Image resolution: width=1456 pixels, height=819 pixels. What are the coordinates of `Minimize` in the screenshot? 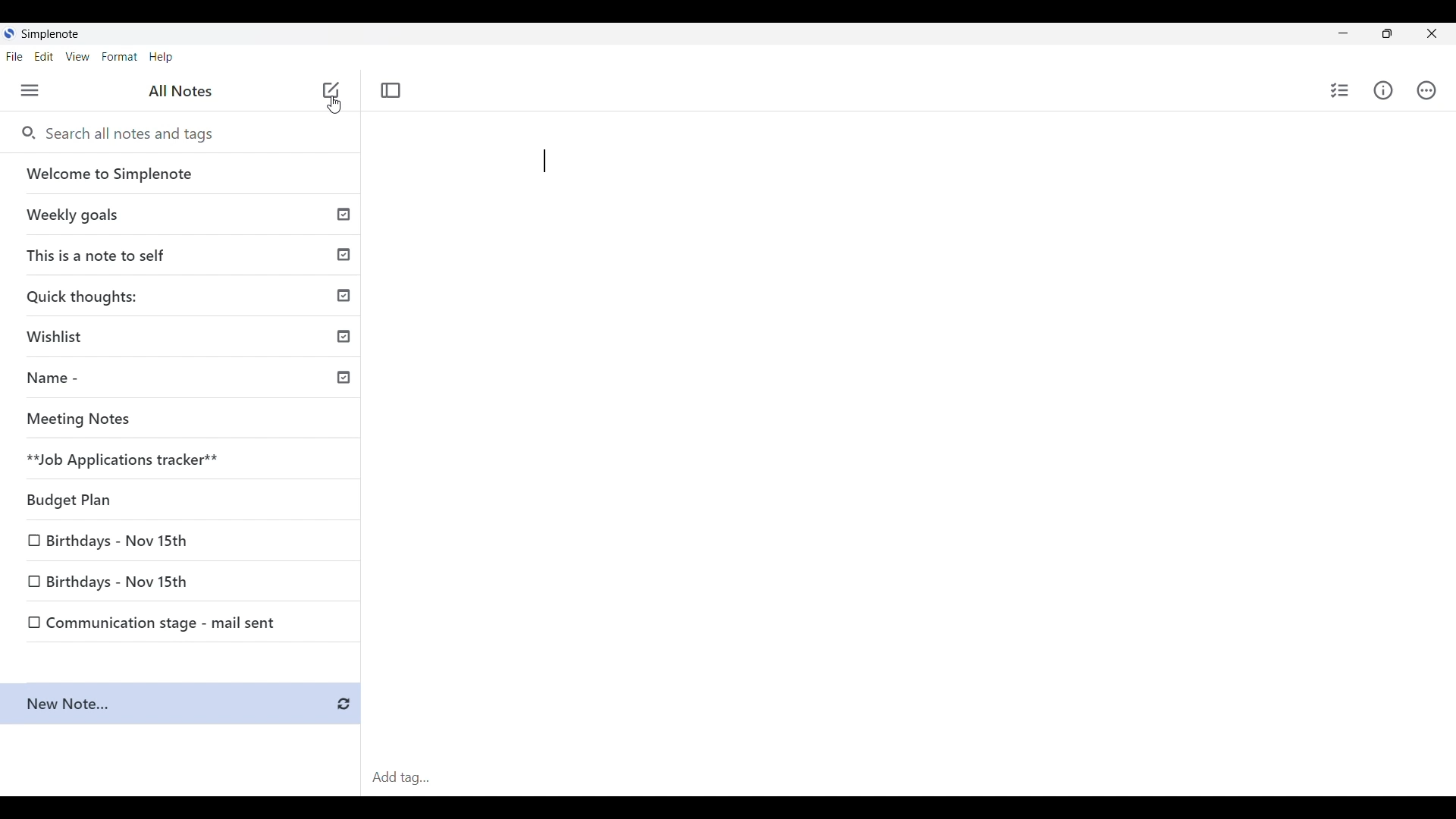 It's located at (1339, 33).